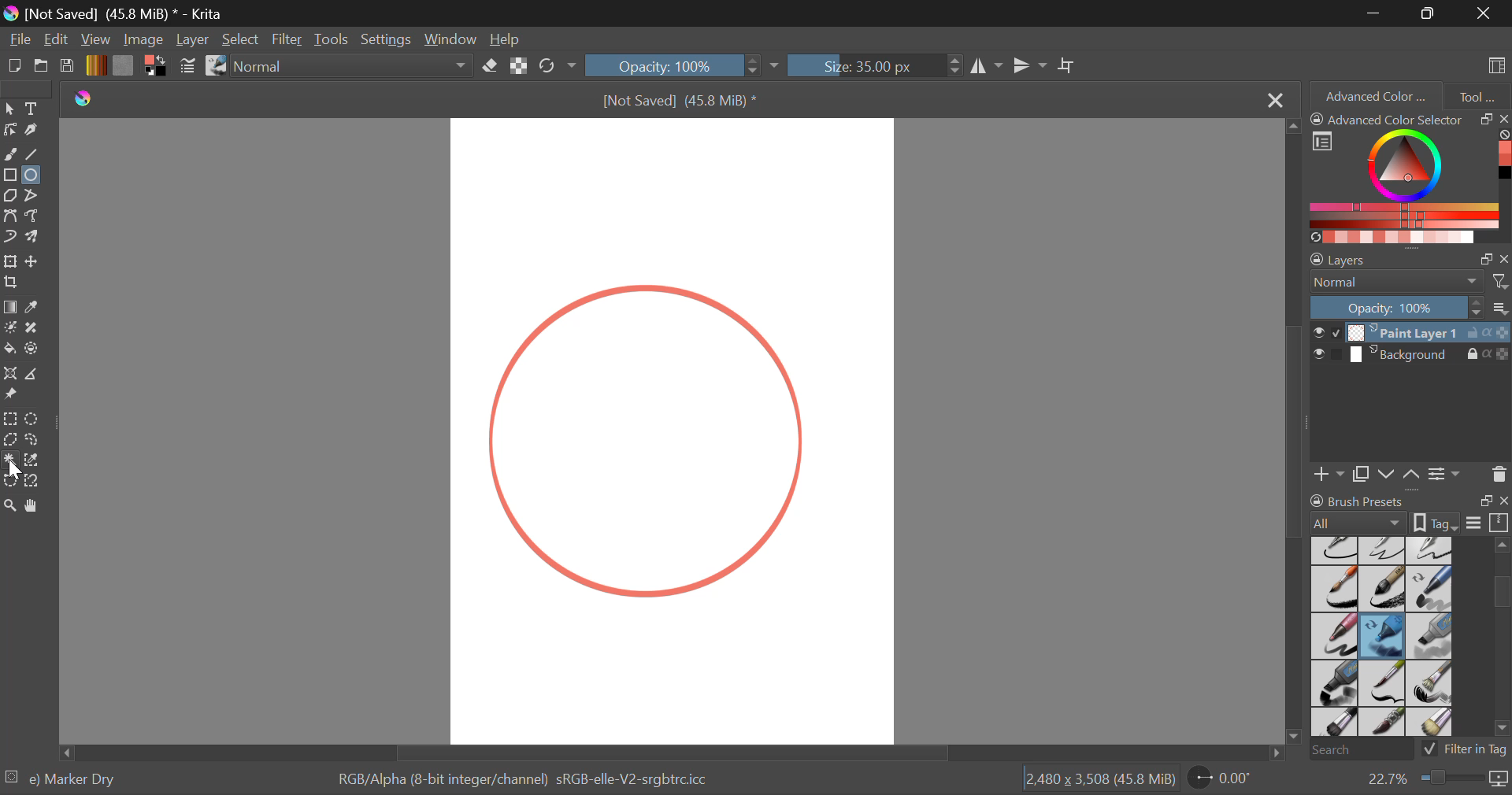 The width and height of the screenshot is (1512, 795). What do you see at coordinates (1410, 282) in the screenshot?
I see `Blending Mode` at bounding box center [1410, 282].